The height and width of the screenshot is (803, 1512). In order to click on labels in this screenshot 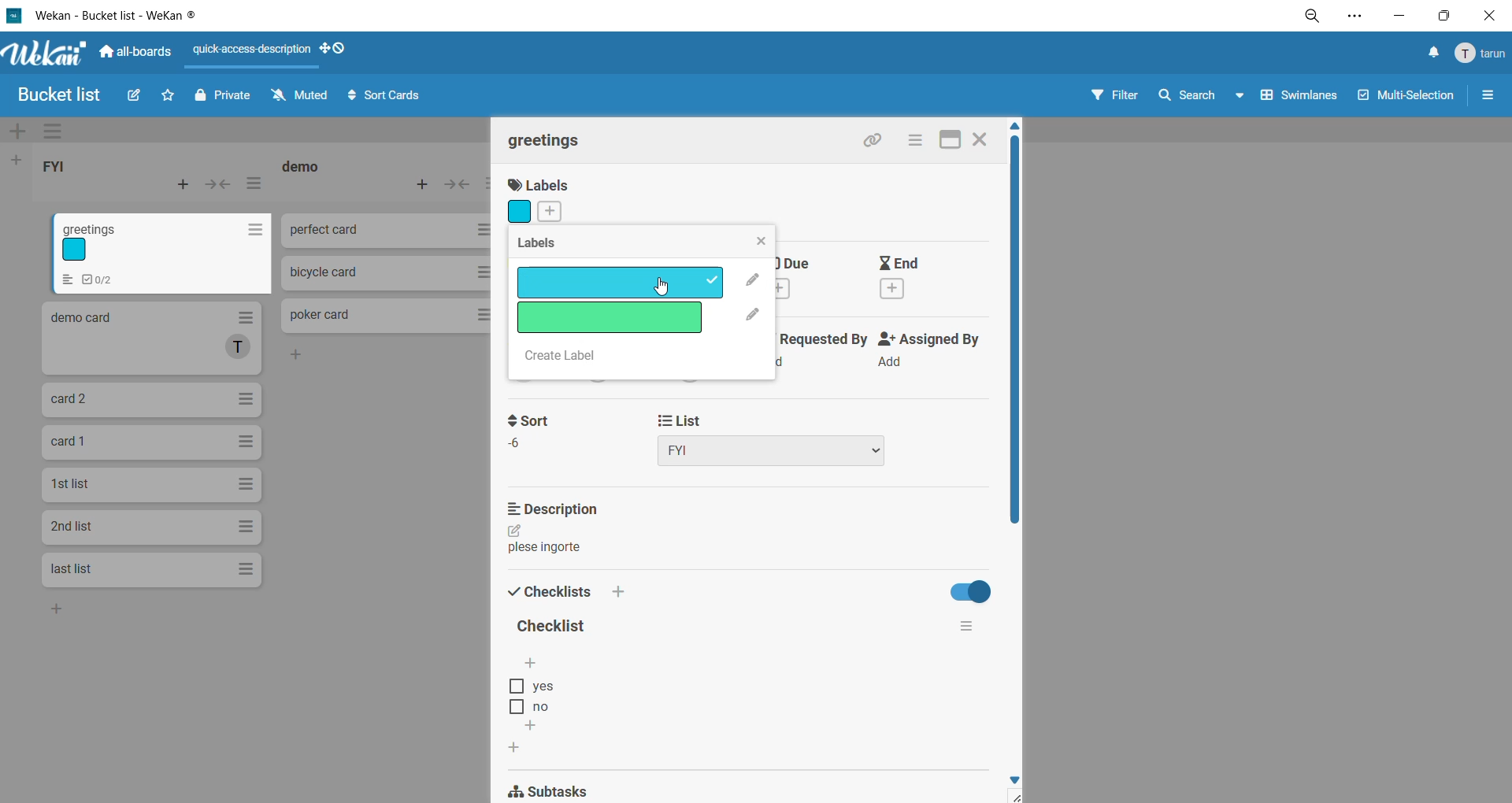, I will do `click(538, 198)`.